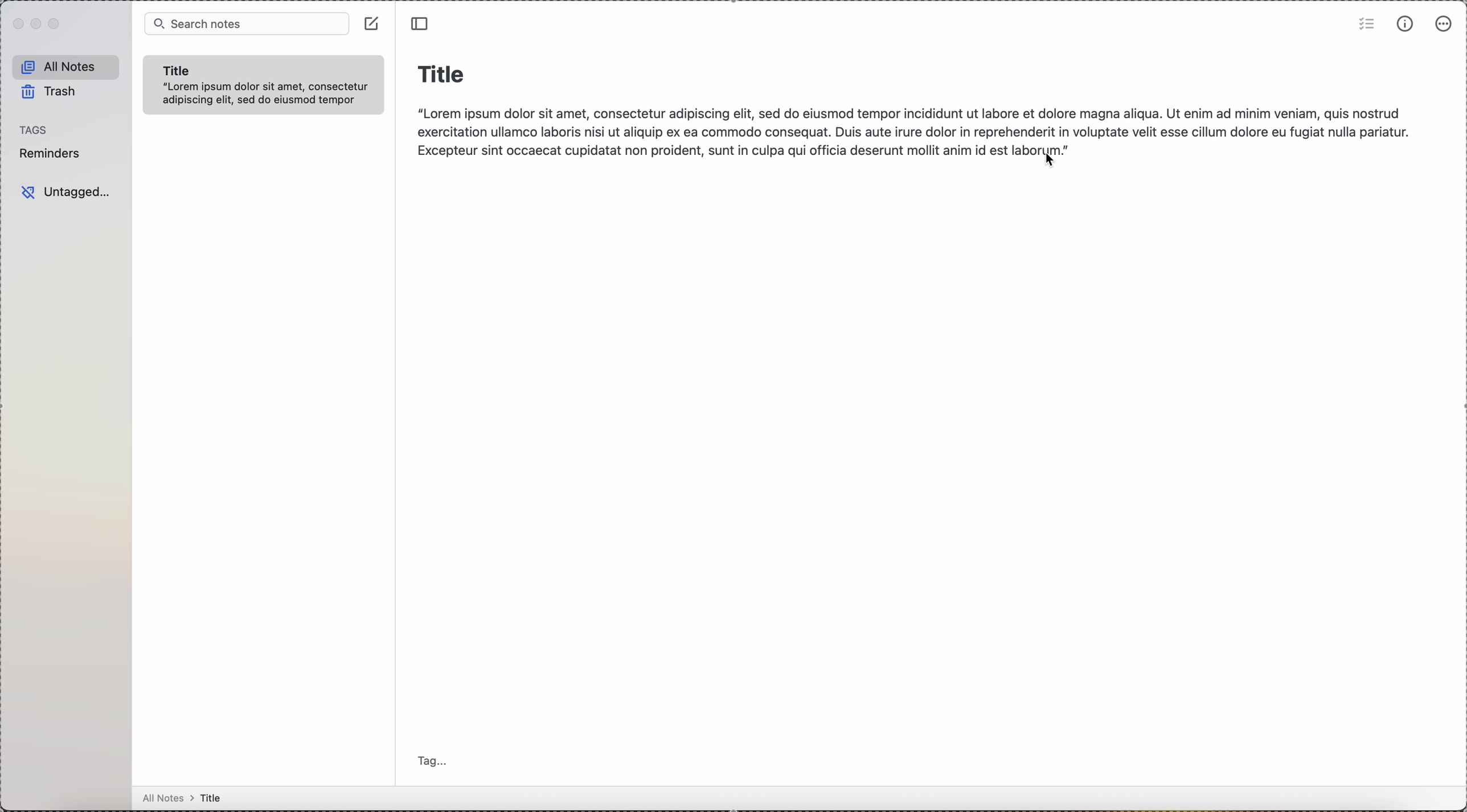 Image resolution: width=1467 pixels, height=812 pixels. I want to click on tag, so click(435, 760).